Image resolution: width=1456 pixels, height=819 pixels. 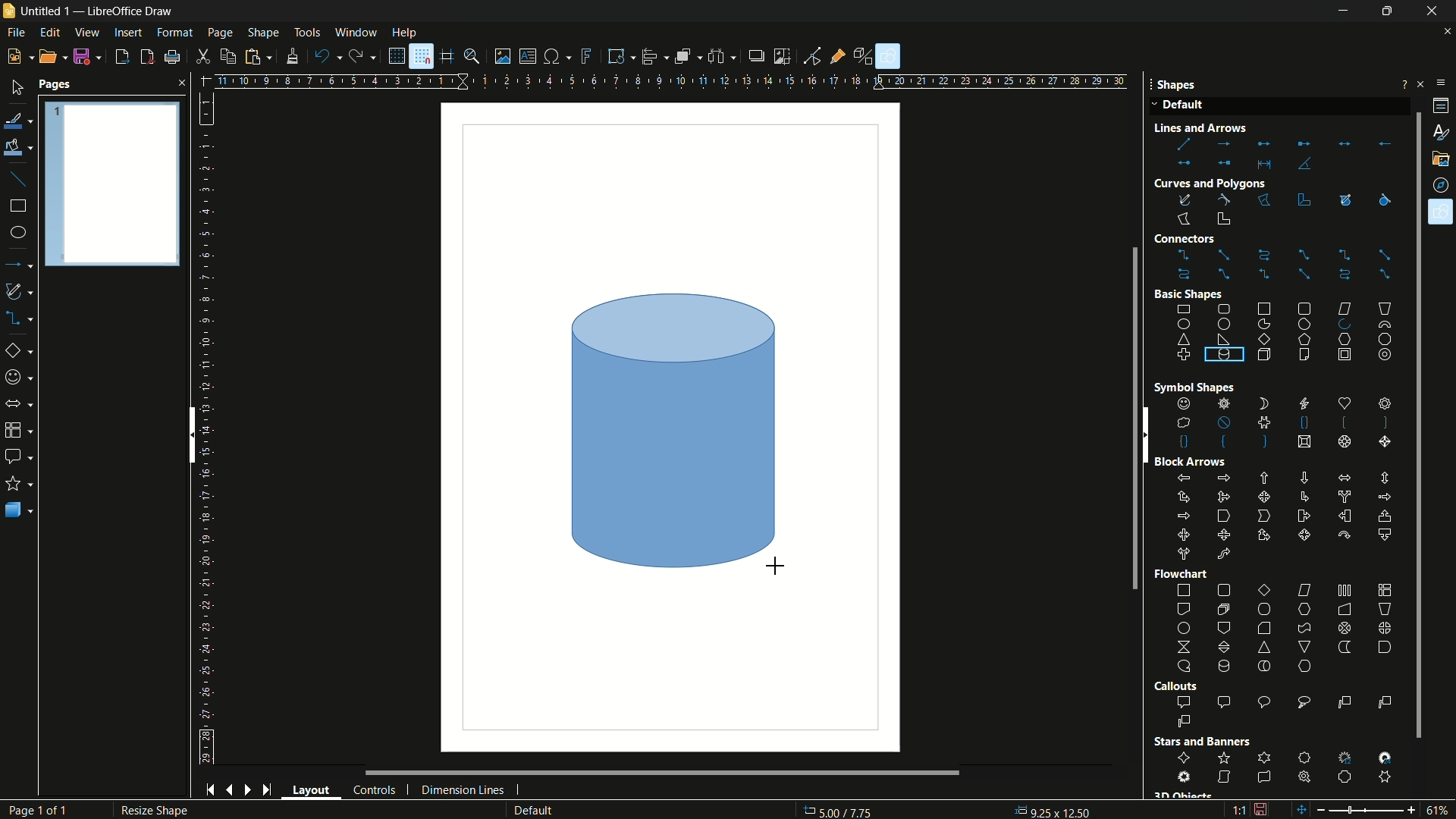 I want to click on tools menu, so click(x=307, y=33).